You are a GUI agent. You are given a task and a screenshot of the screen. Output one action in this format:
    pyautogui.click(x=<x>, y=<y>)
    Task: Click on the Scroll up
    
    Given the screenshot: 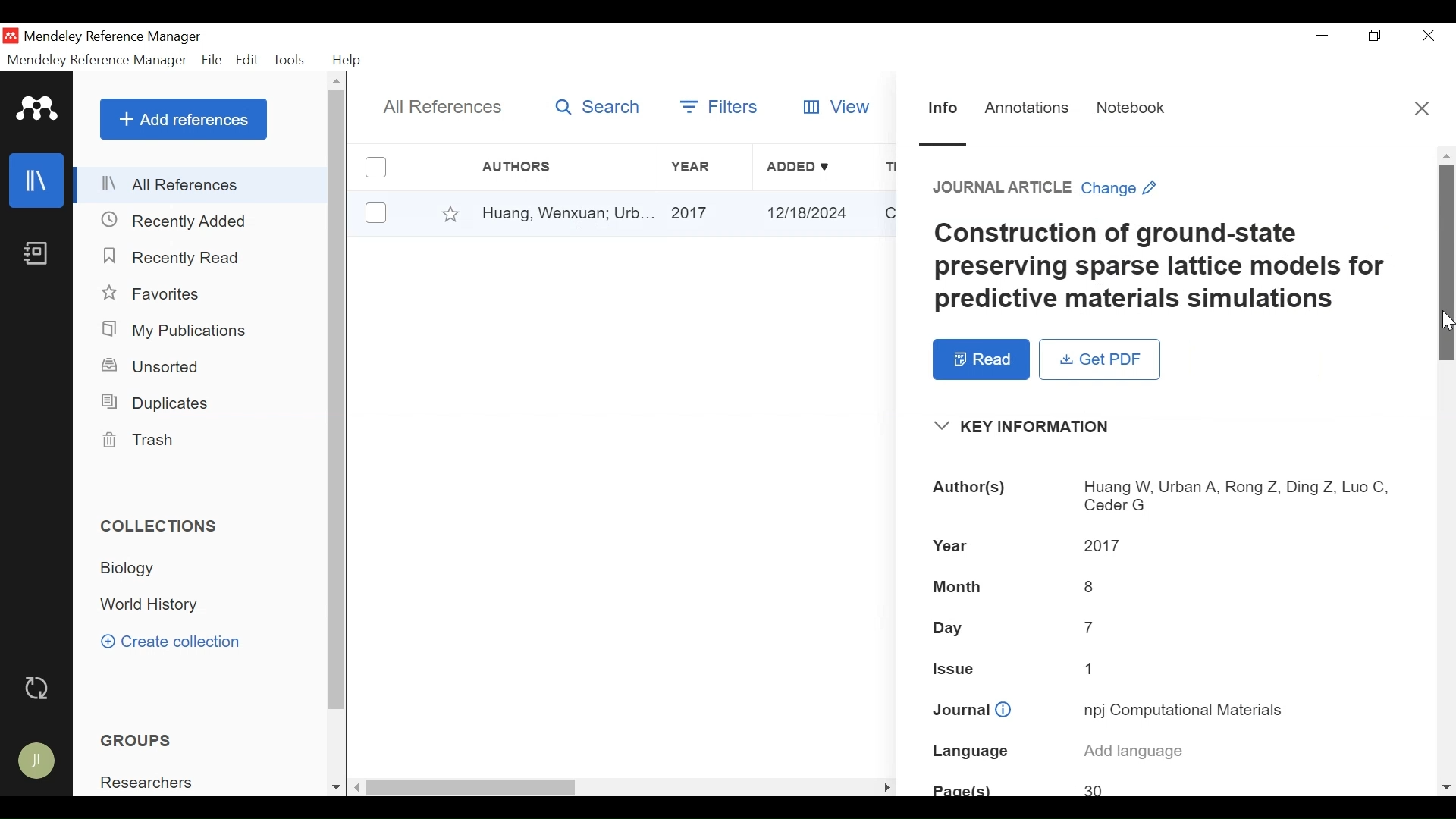 What is the action you would take?
    pyautogui.click(x=1446, y=155)
    